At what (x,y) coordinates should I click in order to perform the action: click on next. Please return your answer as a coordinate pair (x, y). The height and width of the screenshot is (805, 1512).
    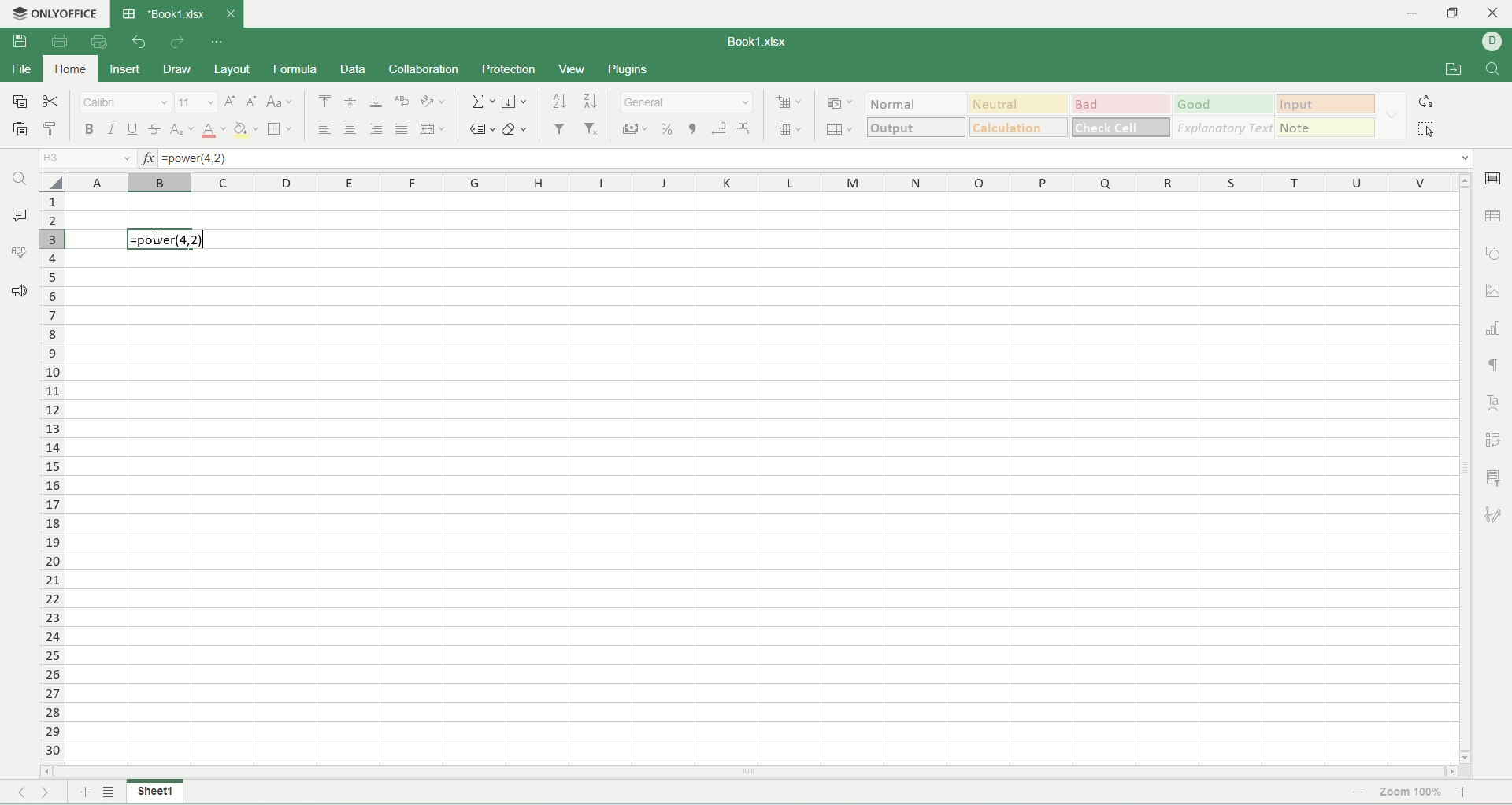
    Looking at the image, I should click on (53, 793).